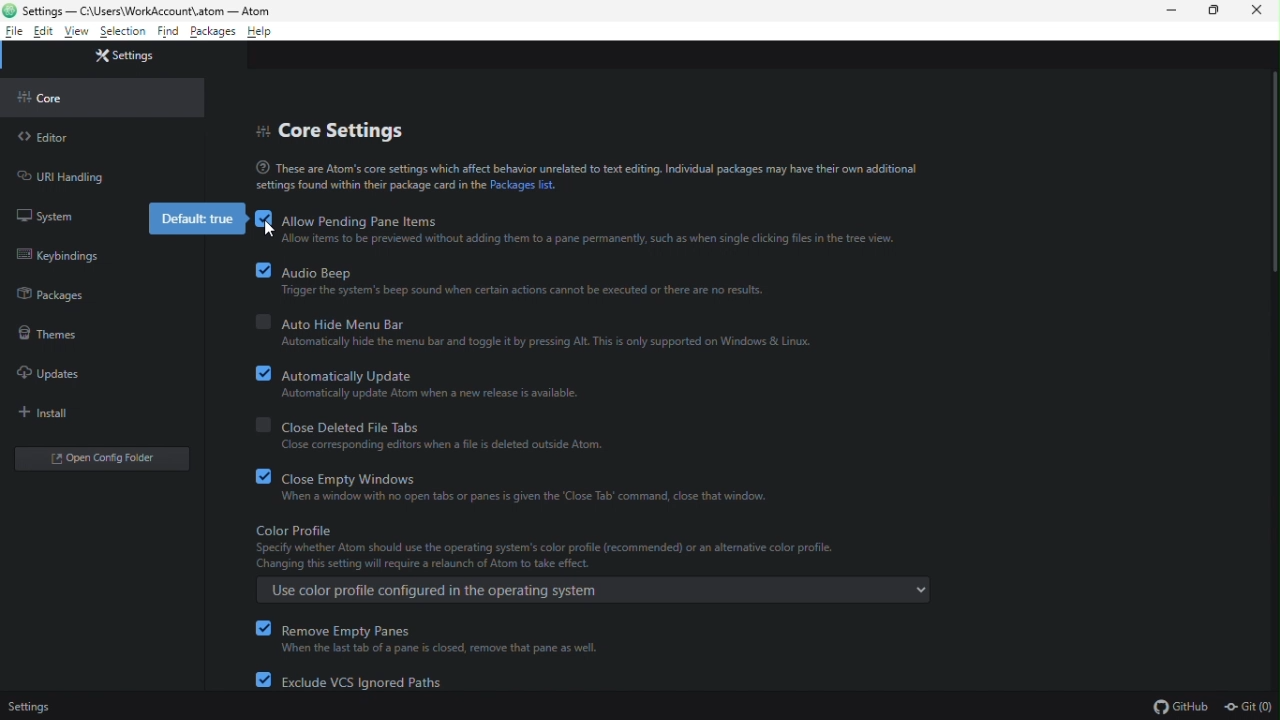 The image size is (1280, 720). I want to click on URL handling, so click(66, 177).